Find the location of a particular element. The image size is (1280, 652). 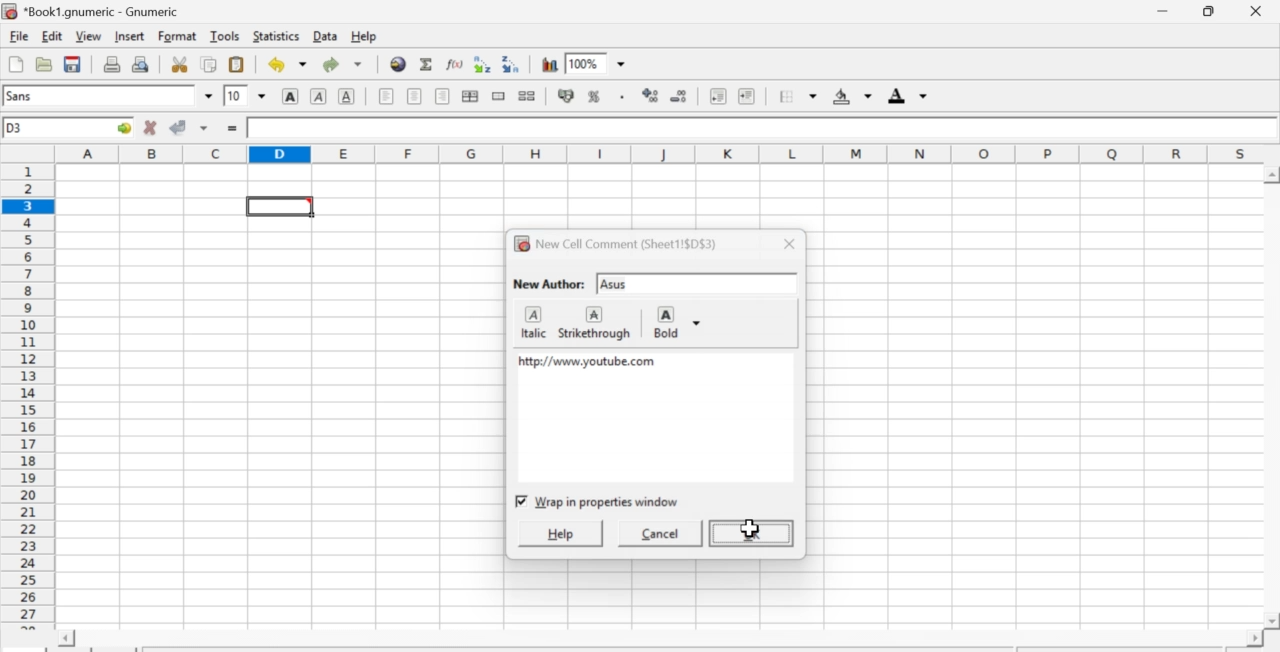

Accept change is located at coordinates (177, 127).